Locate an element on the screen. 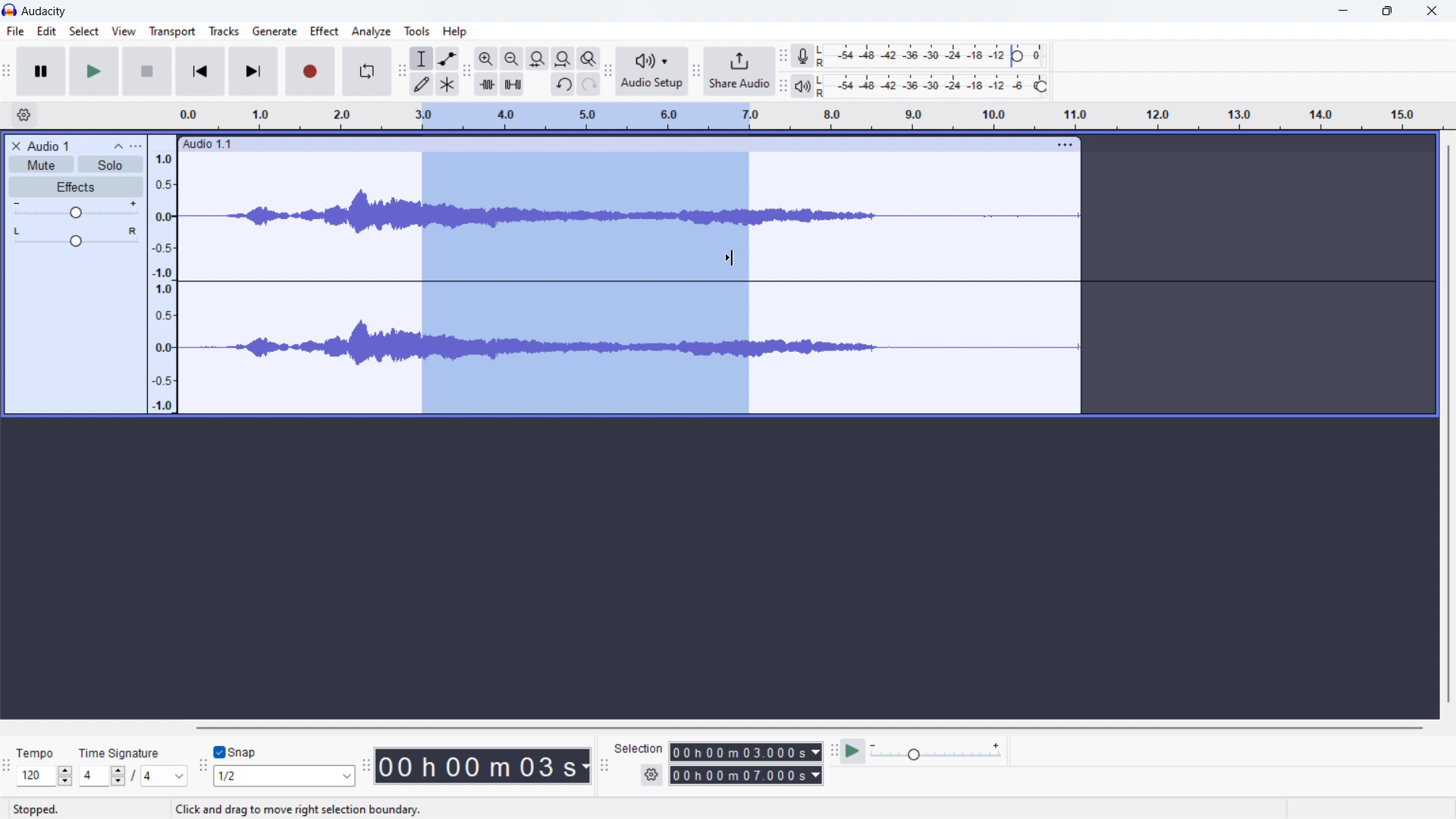 The image size is (1456, 819). Click and drag to move right selection boundary. is located at coordinates (300, 812).